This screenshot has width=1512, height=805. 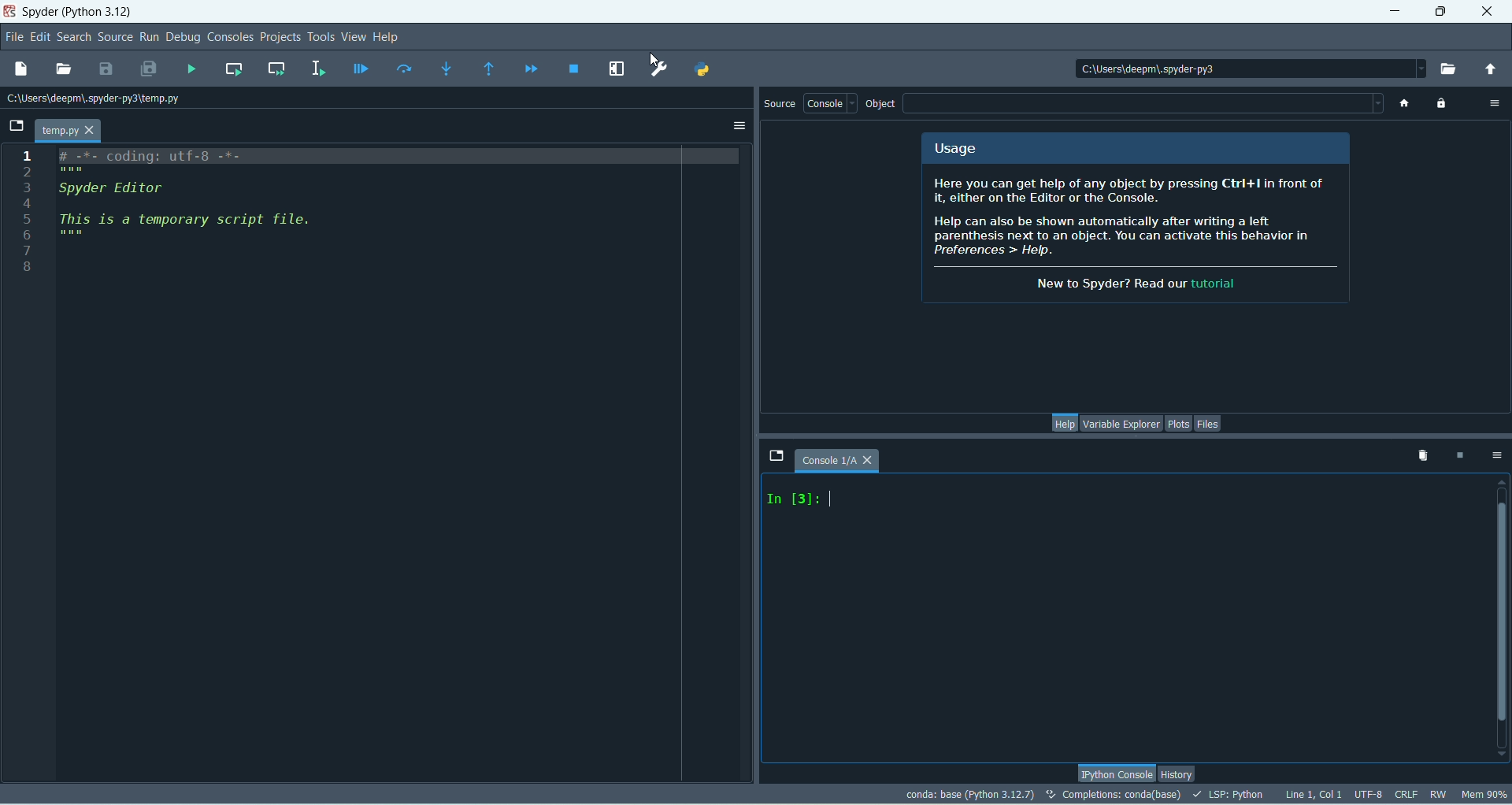 I want to click on options, so click(x=1496, y=454).